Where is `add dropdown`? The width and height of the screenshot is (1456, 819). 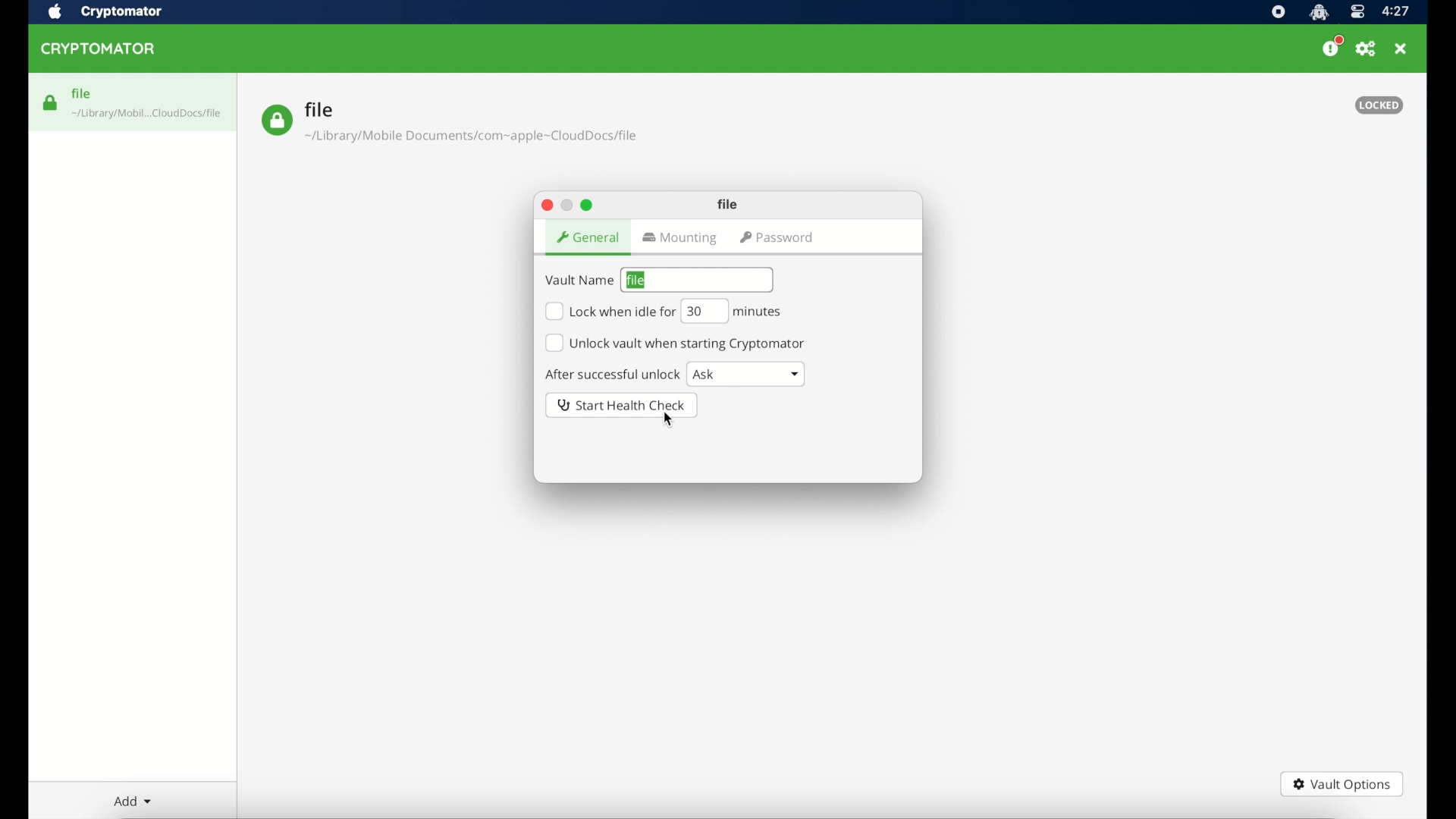
add dropdown is located at coordinates (130, 801).